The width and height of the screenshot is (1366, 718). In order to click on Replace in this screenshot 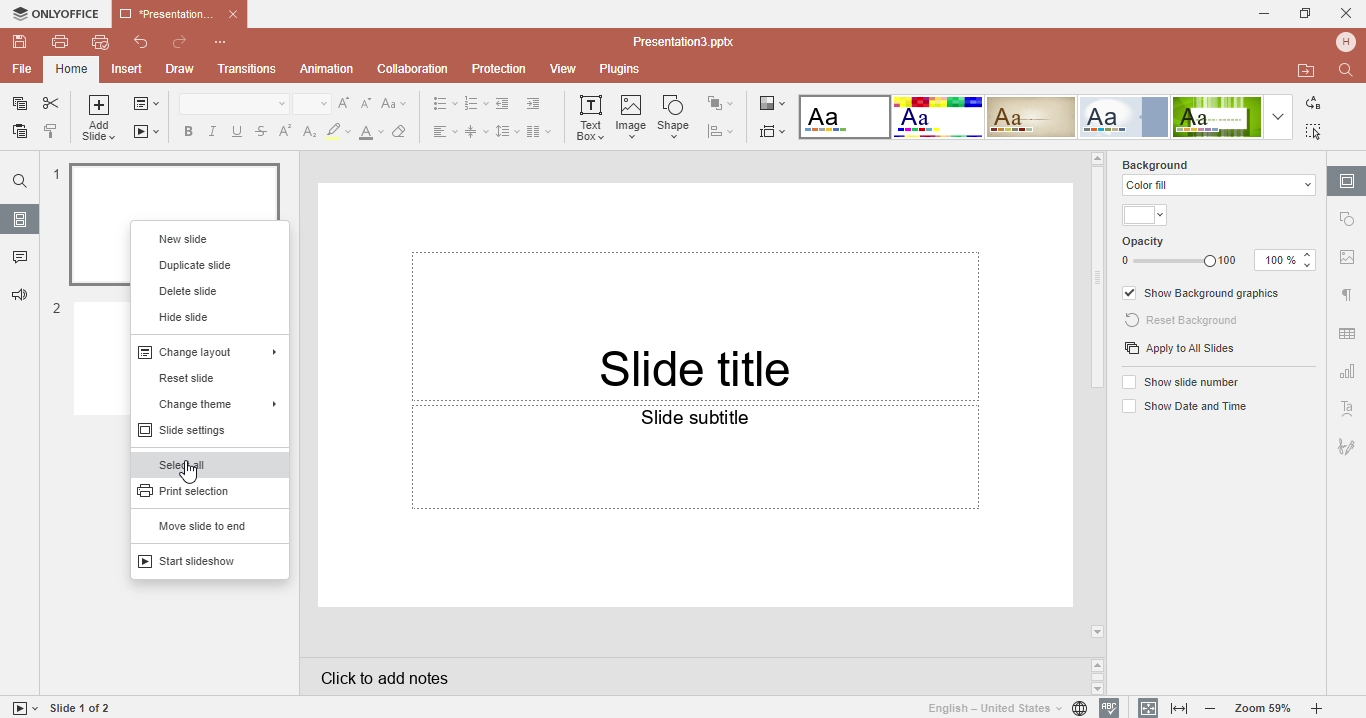, I will do `click(1312, 104)`.